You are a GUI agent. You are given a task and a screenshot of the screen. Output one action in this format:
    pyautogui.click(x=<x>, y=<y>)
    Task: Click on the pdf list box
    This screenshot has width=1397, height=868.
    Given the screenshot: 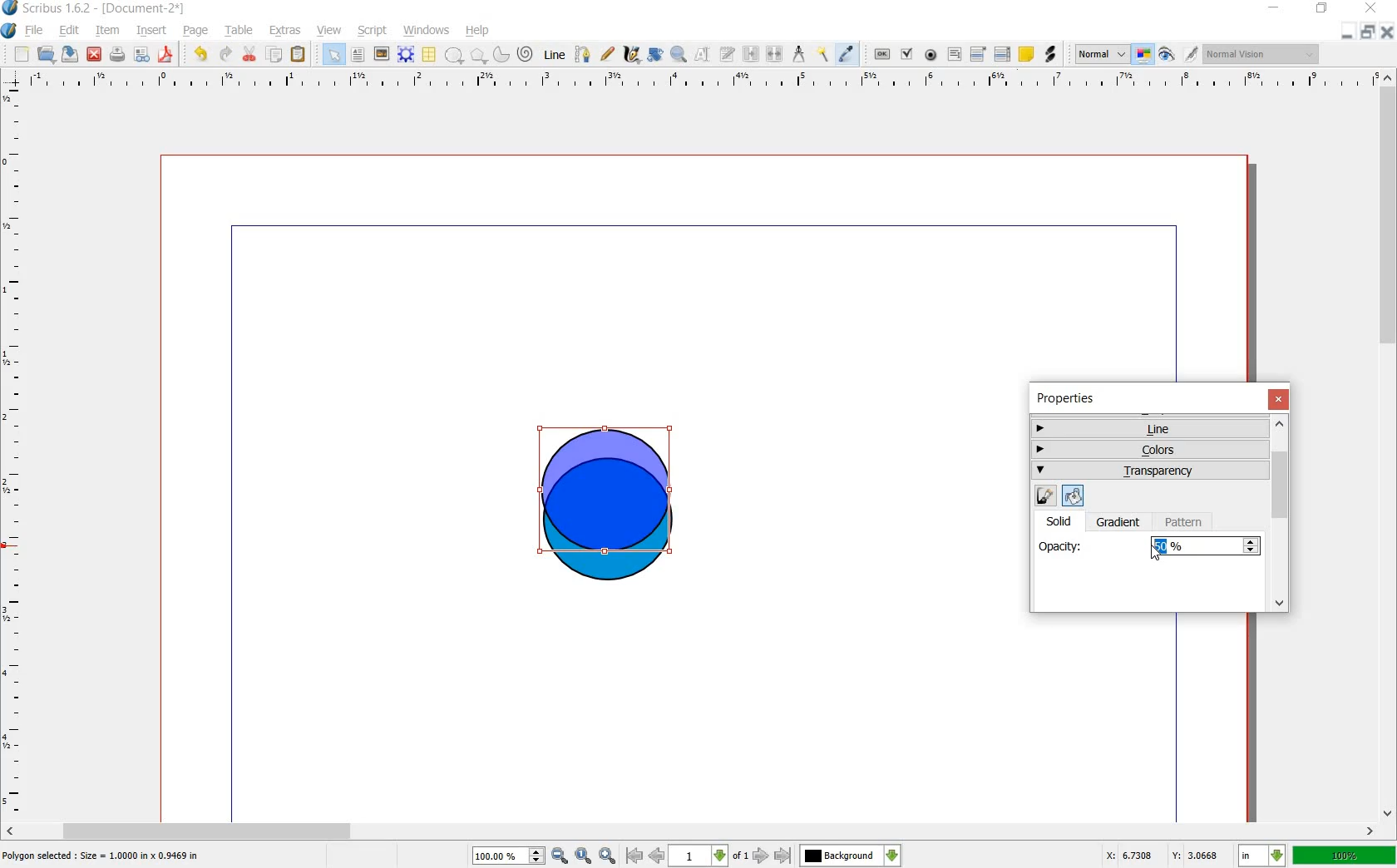 What is the action you would take?
    pyautogui.click(x=1002, y=52)
    